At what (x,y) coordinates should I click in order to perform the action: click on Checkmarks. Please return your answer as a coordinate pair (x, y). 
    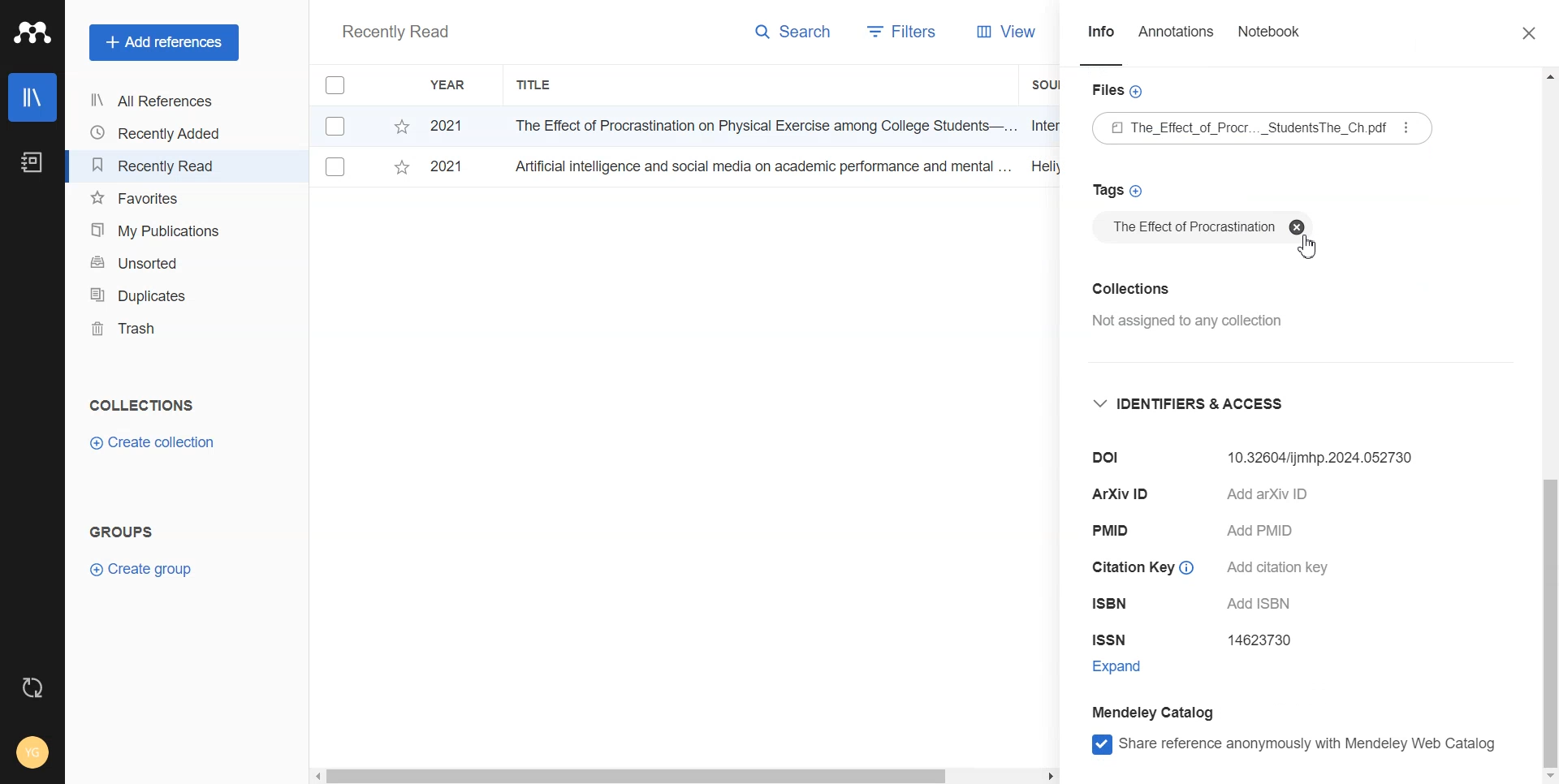
    Looking at the image, I should click on (339, 125).